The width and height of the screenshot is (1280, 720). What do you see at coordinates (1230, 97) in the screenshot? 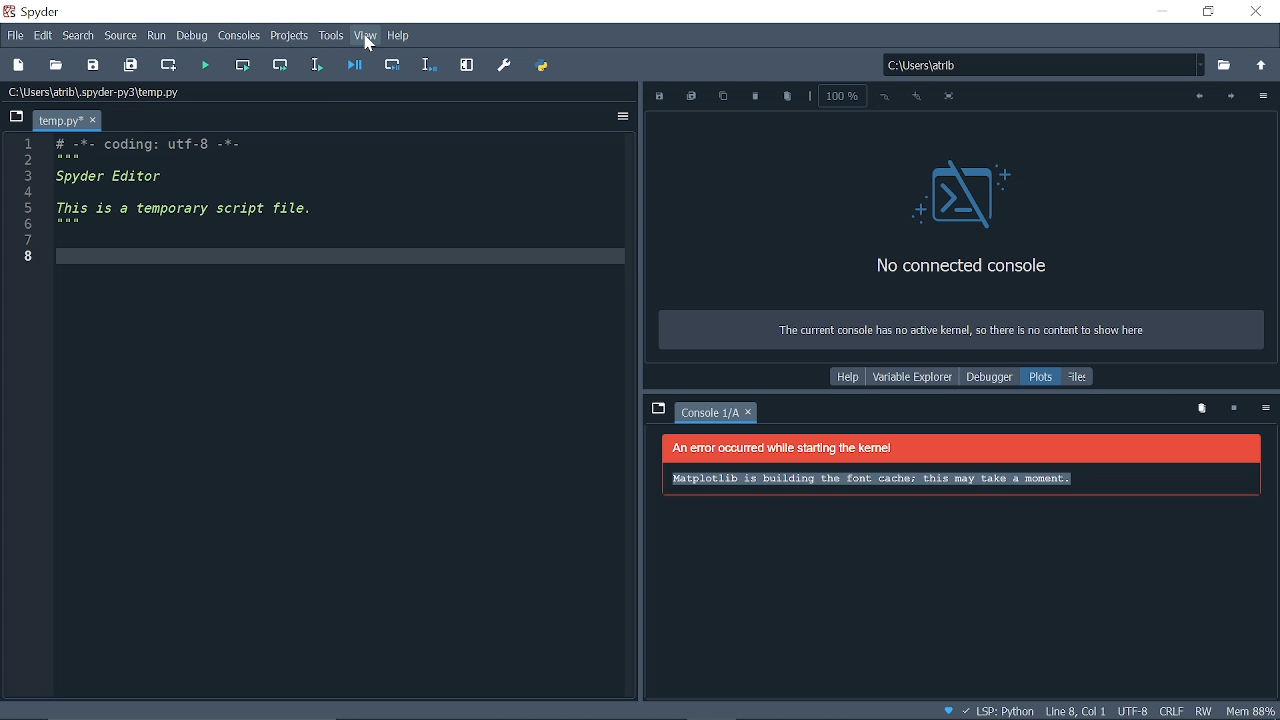
I see `Next plot` at bounding box center [1230, 97].